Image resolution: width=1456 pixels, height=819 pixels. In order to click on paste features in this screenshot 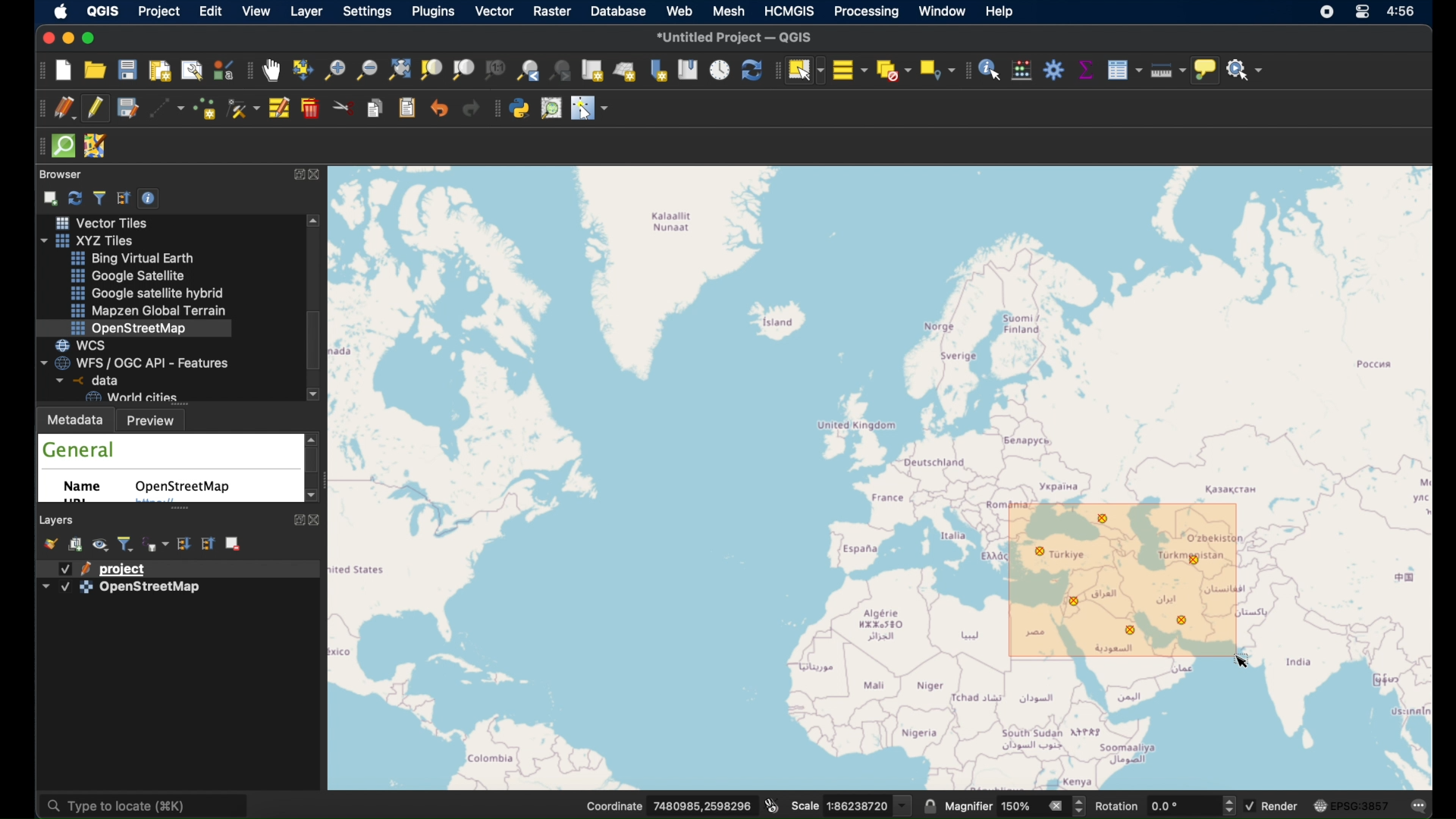, I will do `click(409, 109)`.